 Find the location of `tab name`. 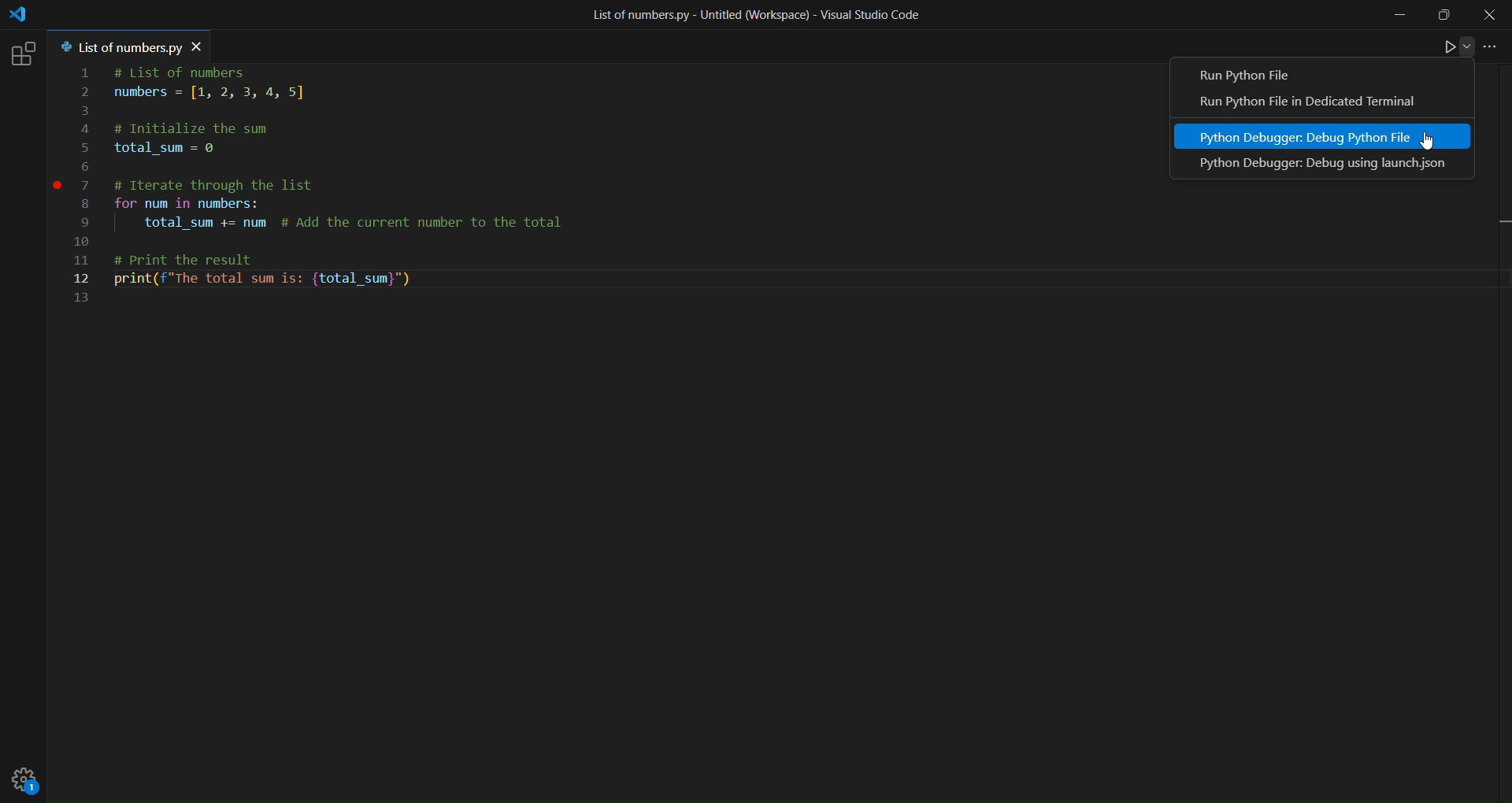

tab name is located at coordinates (117, 47).